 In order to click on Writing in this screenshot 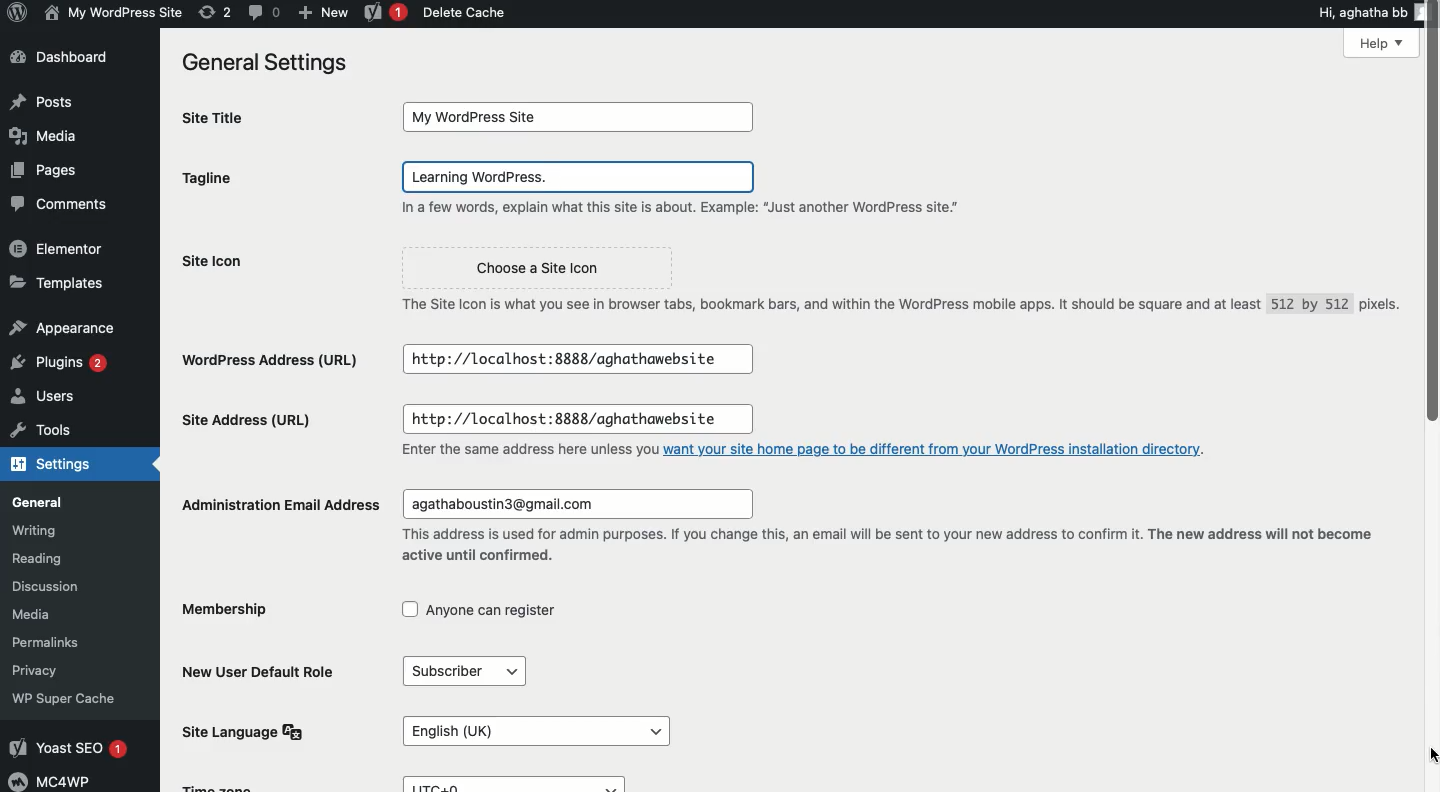, I will do `click(45, 529)`.